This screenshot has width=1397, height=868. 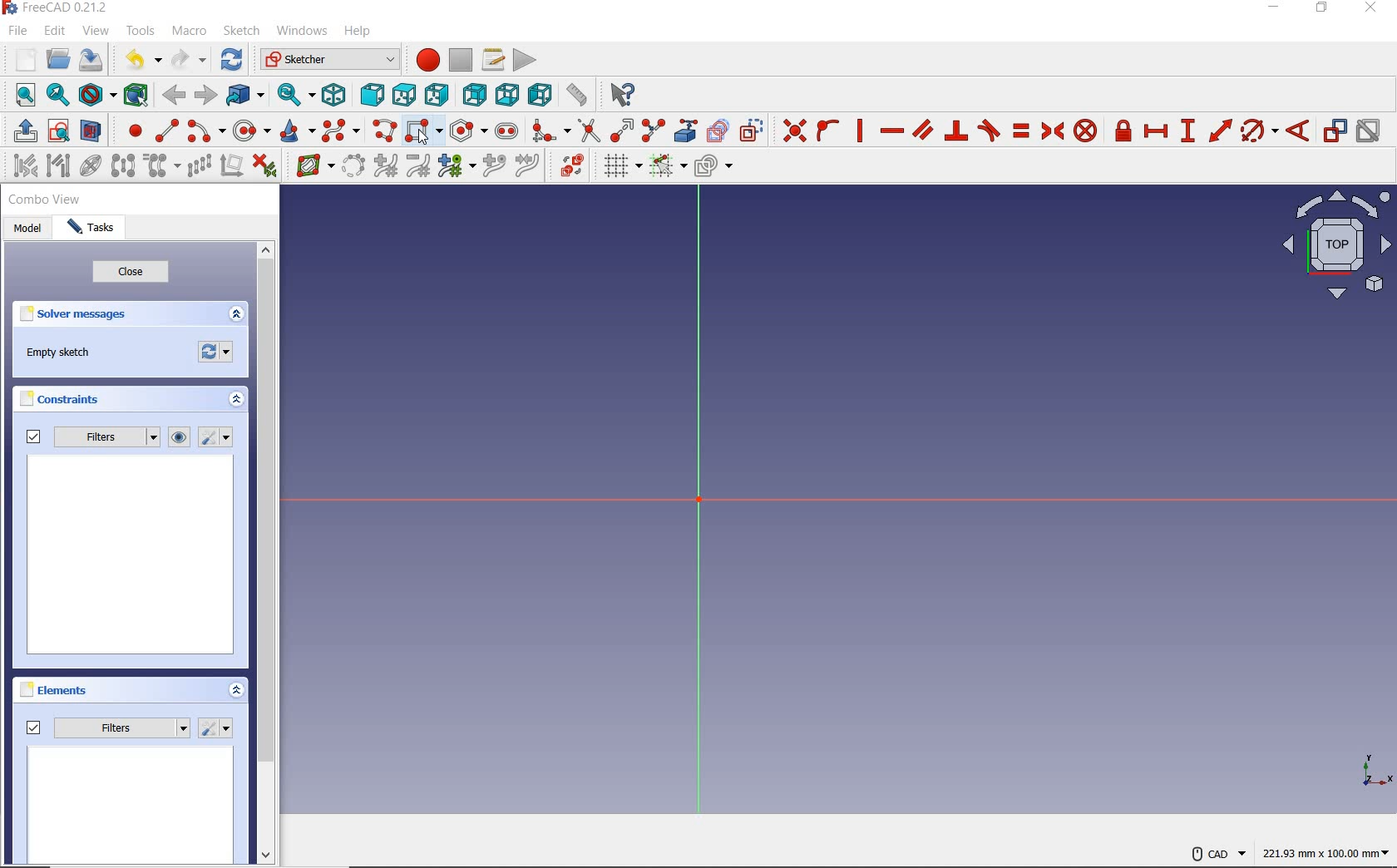 What do you see at coordinates (372, 96) in the screenshot?
I see `front` at bounding box center [372, 96].